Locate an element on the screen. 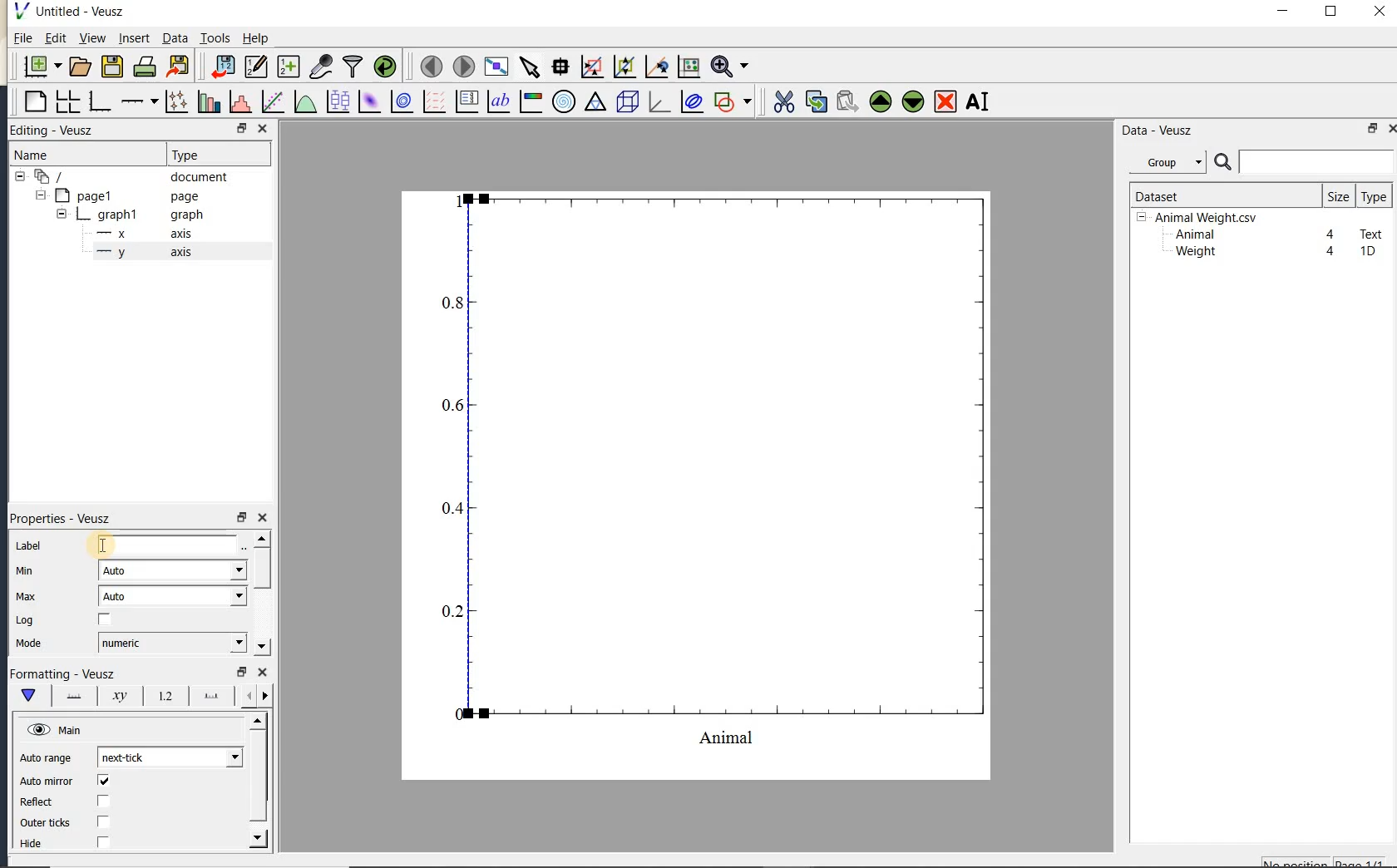 The width and height of the screenshot is (1397, 868). check/uncheck is located at coordinates (104, 821).